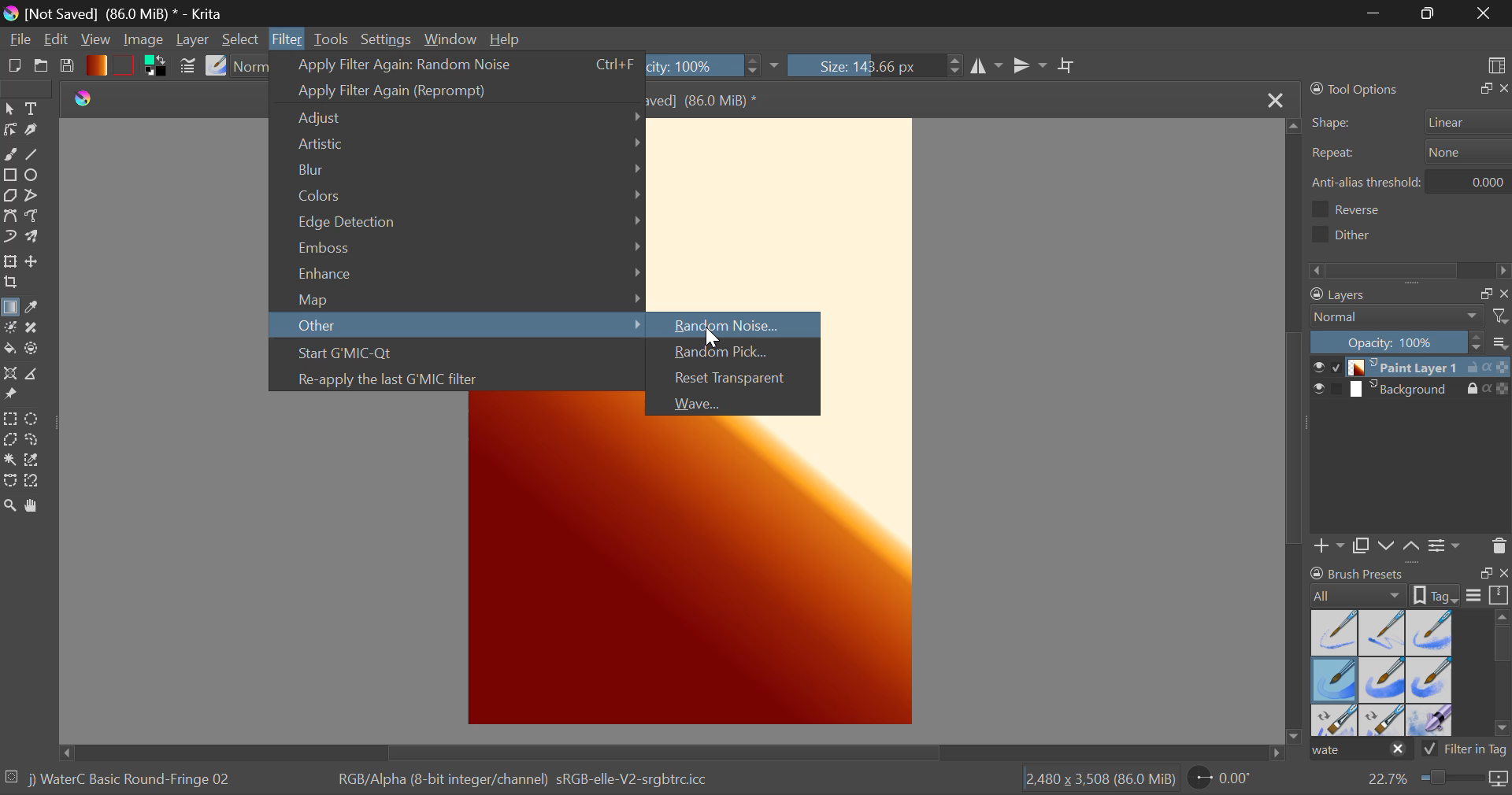 This screenshot has width=1512, height=795. I want to click on expand, so click(1486, 573).